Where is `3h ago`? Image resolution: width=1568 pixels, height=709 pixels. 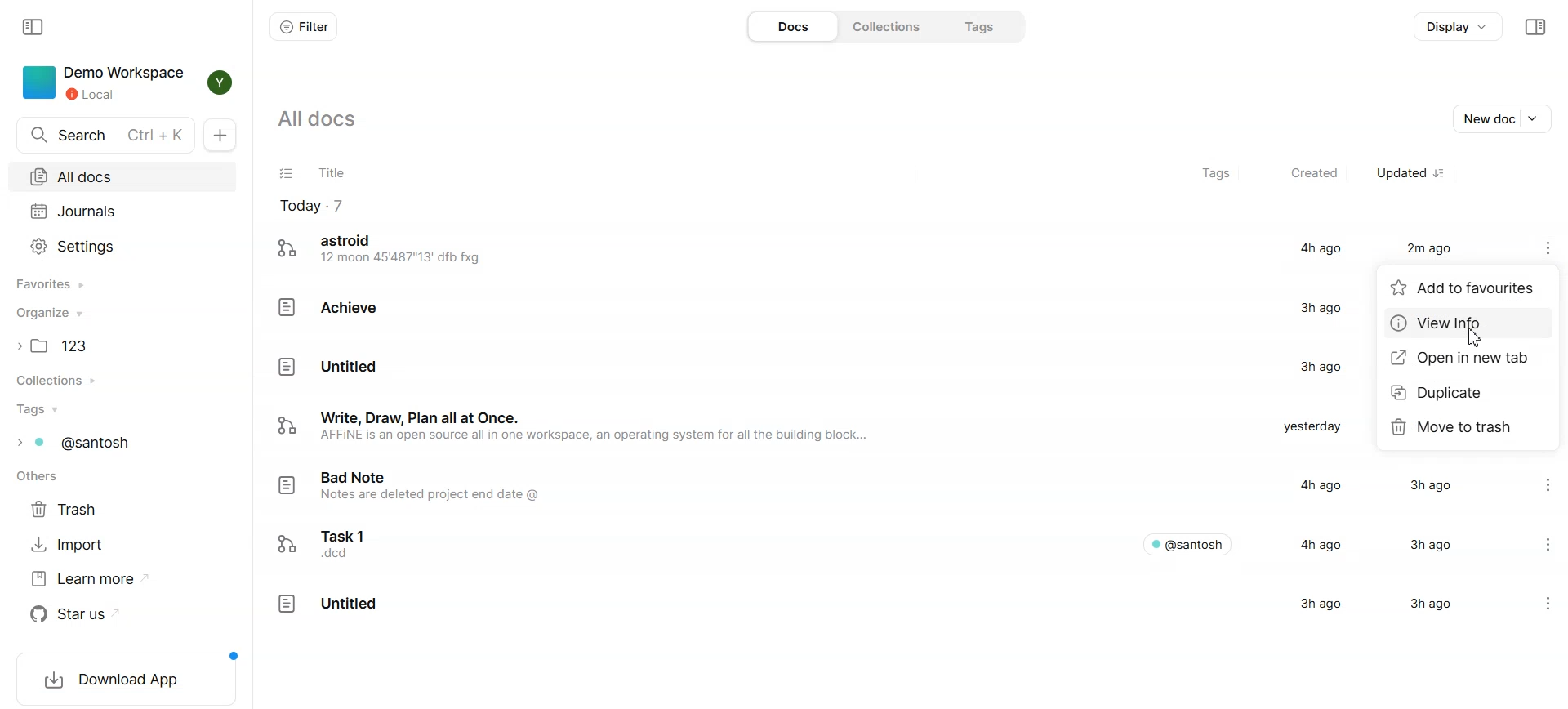 3h ago is located at coordinates (1313, 368).